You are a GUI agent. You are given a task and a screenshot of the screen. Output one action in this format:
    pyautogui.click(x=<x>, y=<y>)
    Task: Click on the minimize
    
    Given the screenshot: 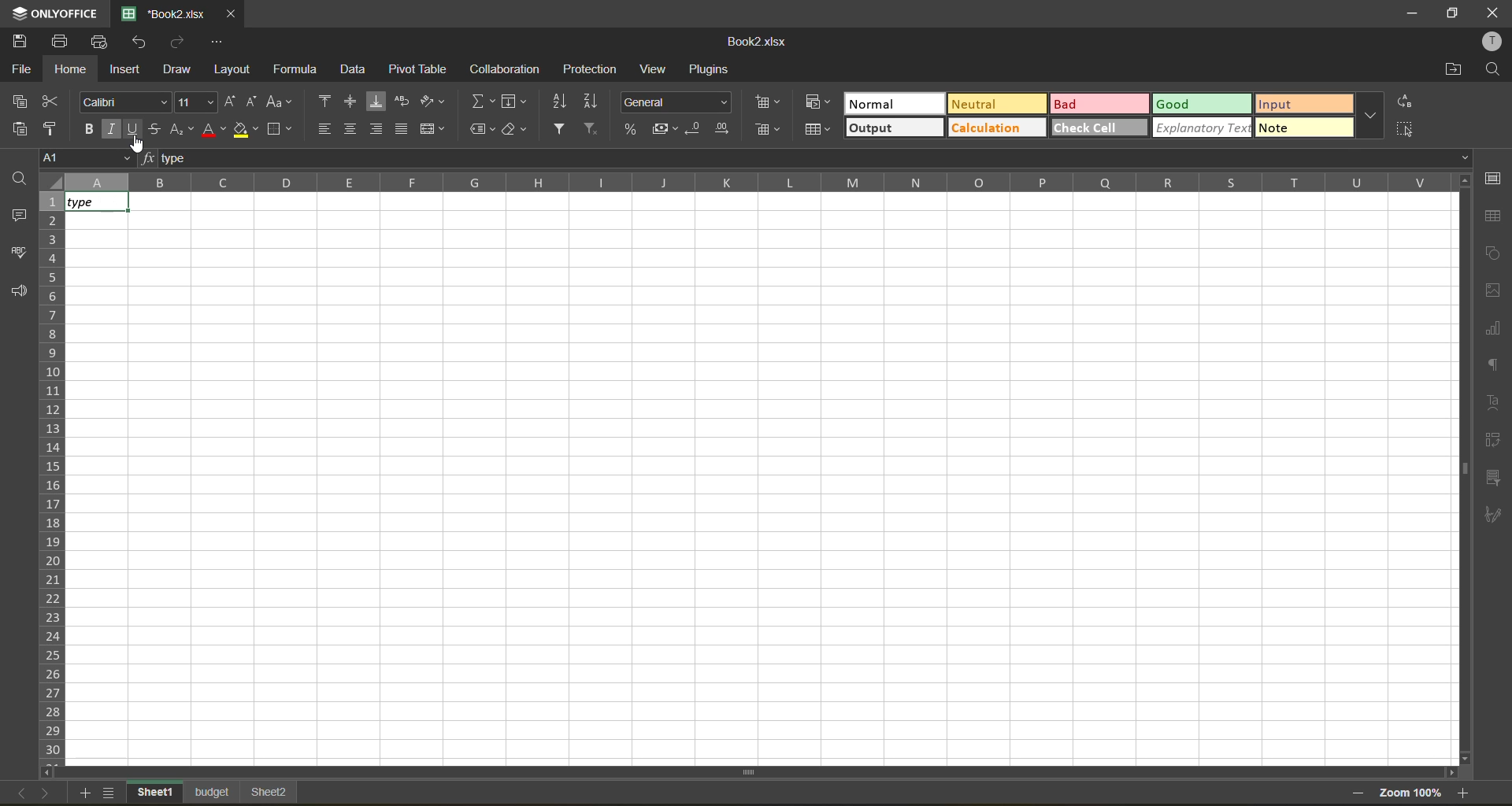 What is the action you would take?
    pyautogui.click(x=1406, y=12)
    